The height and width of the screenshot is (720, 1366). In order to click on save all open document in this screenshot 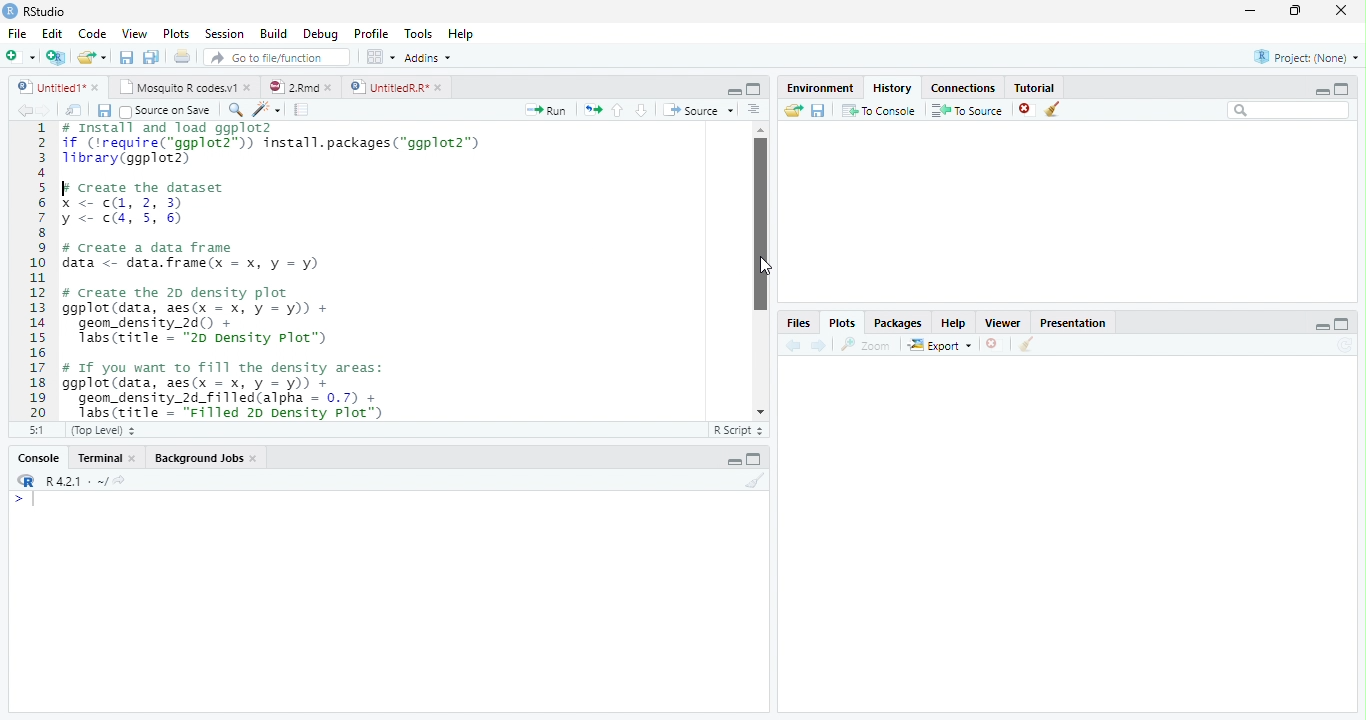, I will do `click(151, 56)`.